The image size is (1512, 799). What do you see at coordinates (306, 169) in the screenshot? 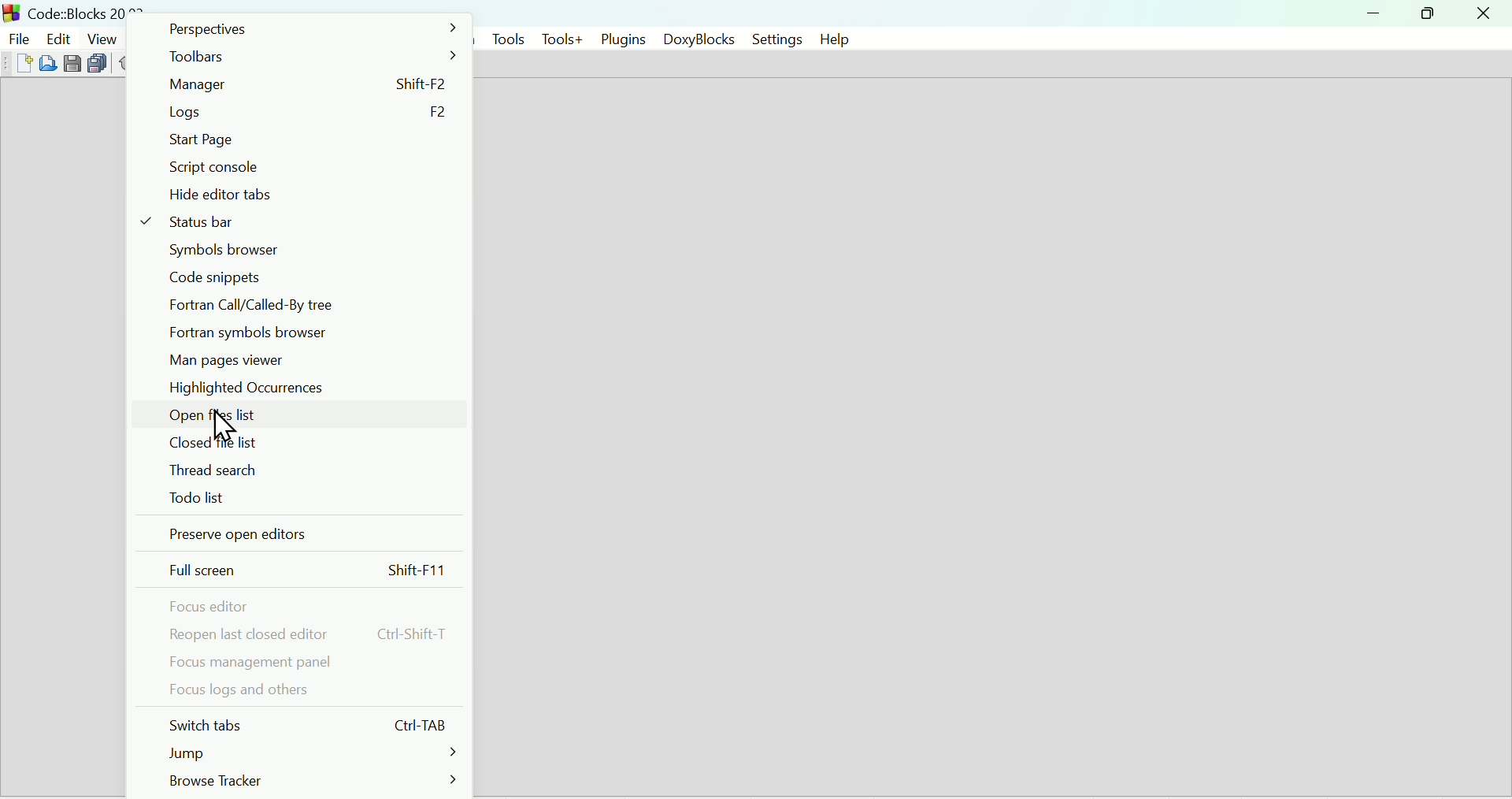
I see `Script console` at bounding box center [306, 169].